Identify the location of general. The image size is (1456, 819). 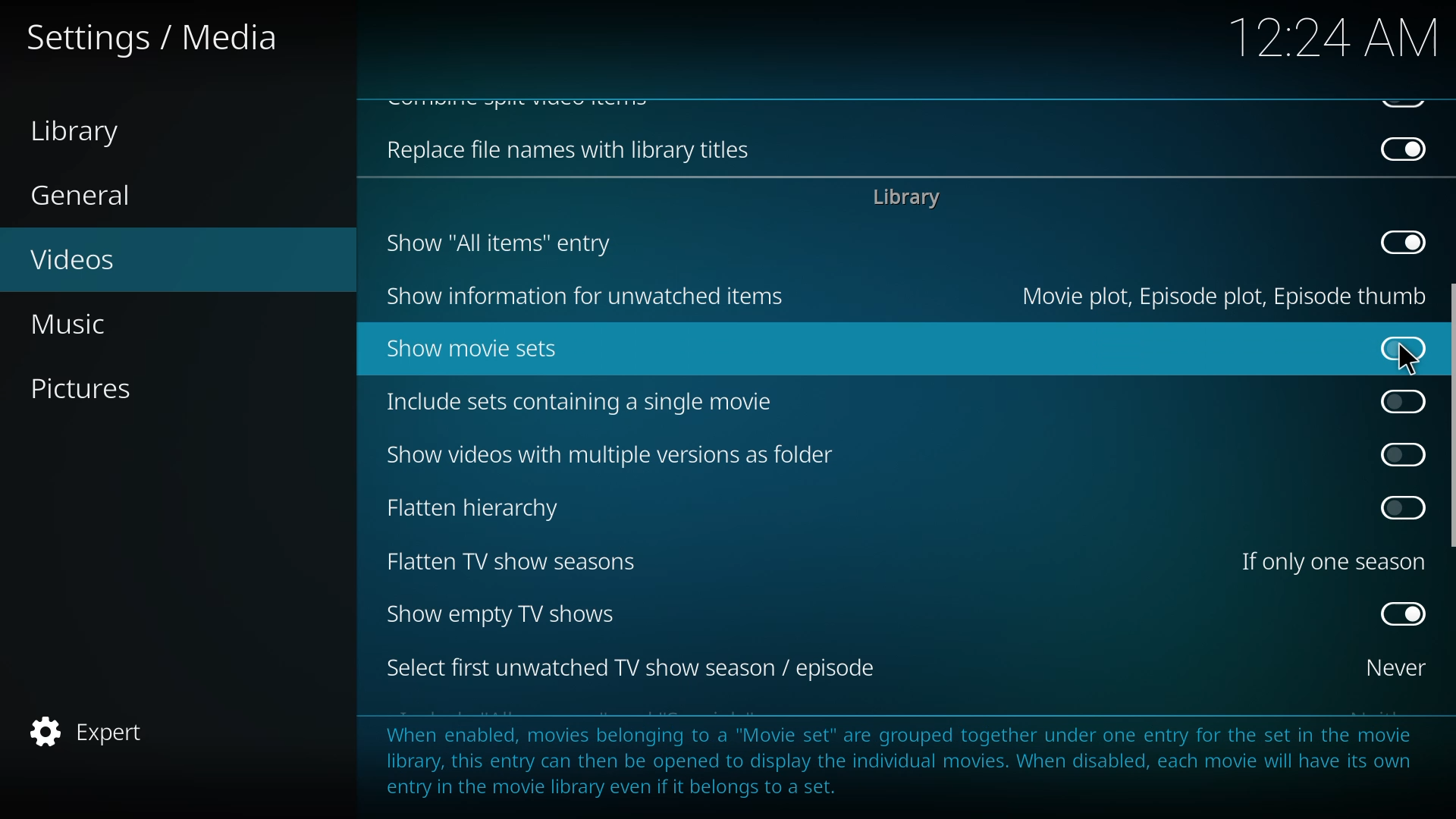
(88, 196).